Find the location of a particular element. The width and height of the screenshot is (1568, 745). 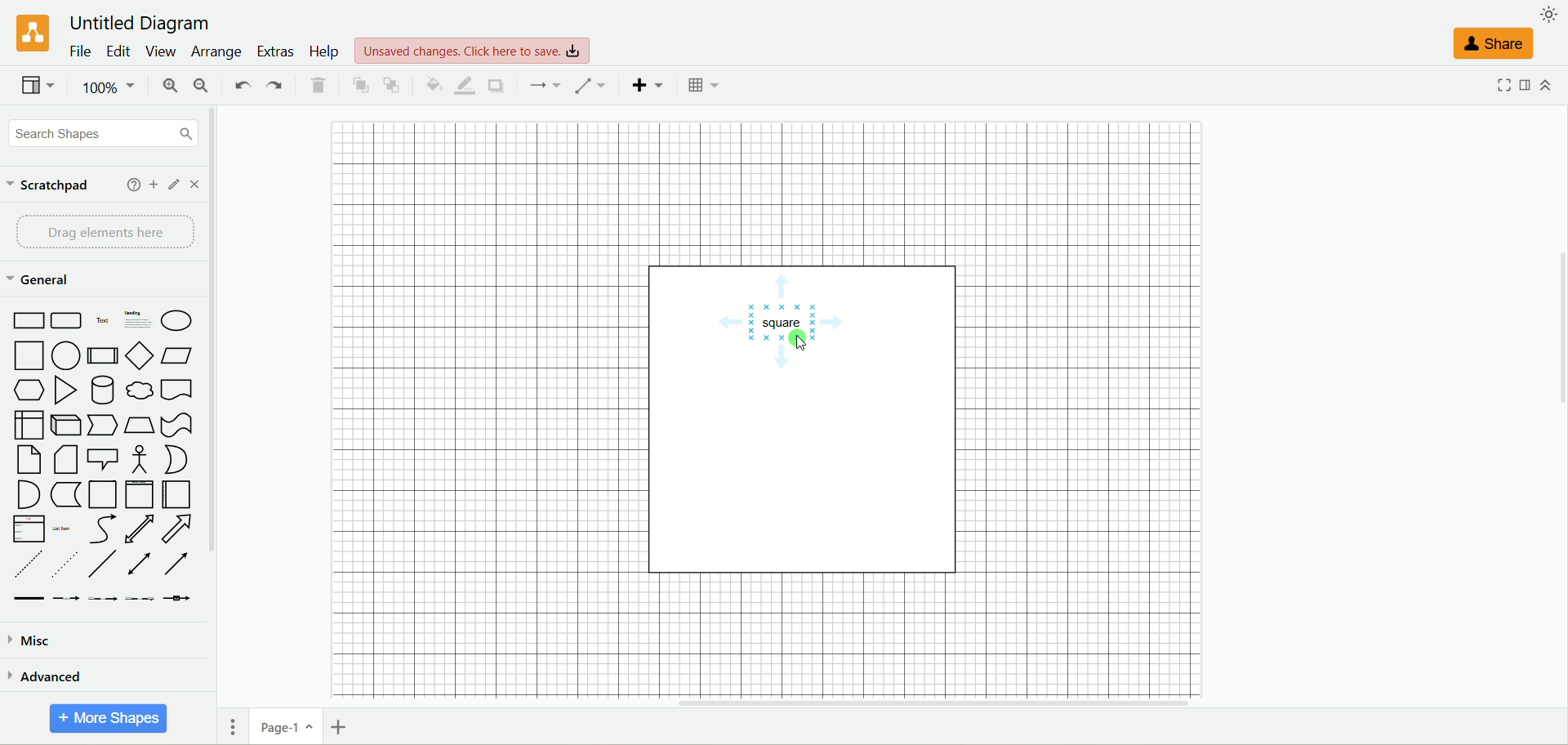

scratchpad is located at coordinates (56, 189).